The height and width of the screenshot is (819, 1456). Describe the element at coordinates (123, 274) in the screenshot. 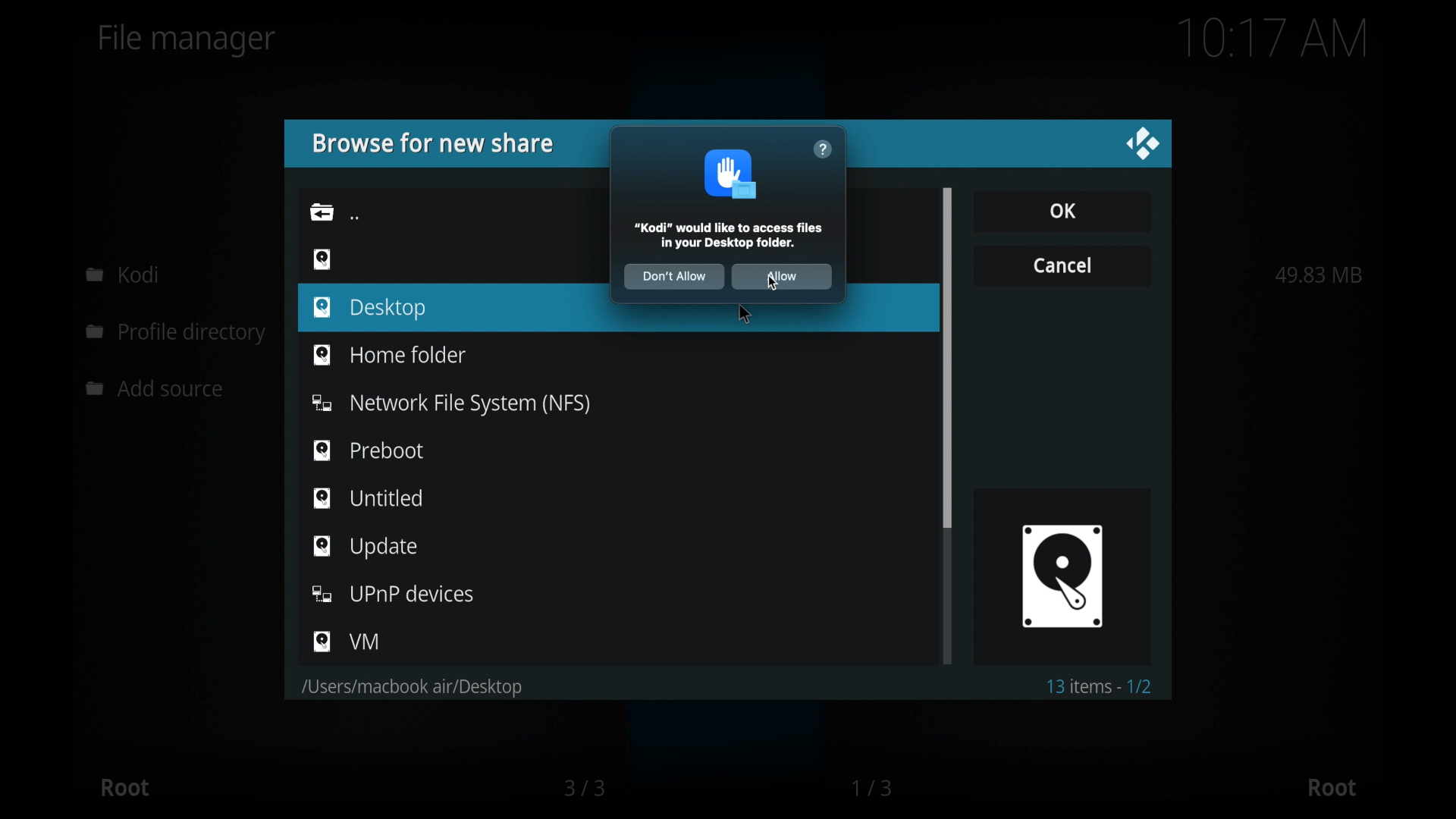

I see `kodi` at that location.